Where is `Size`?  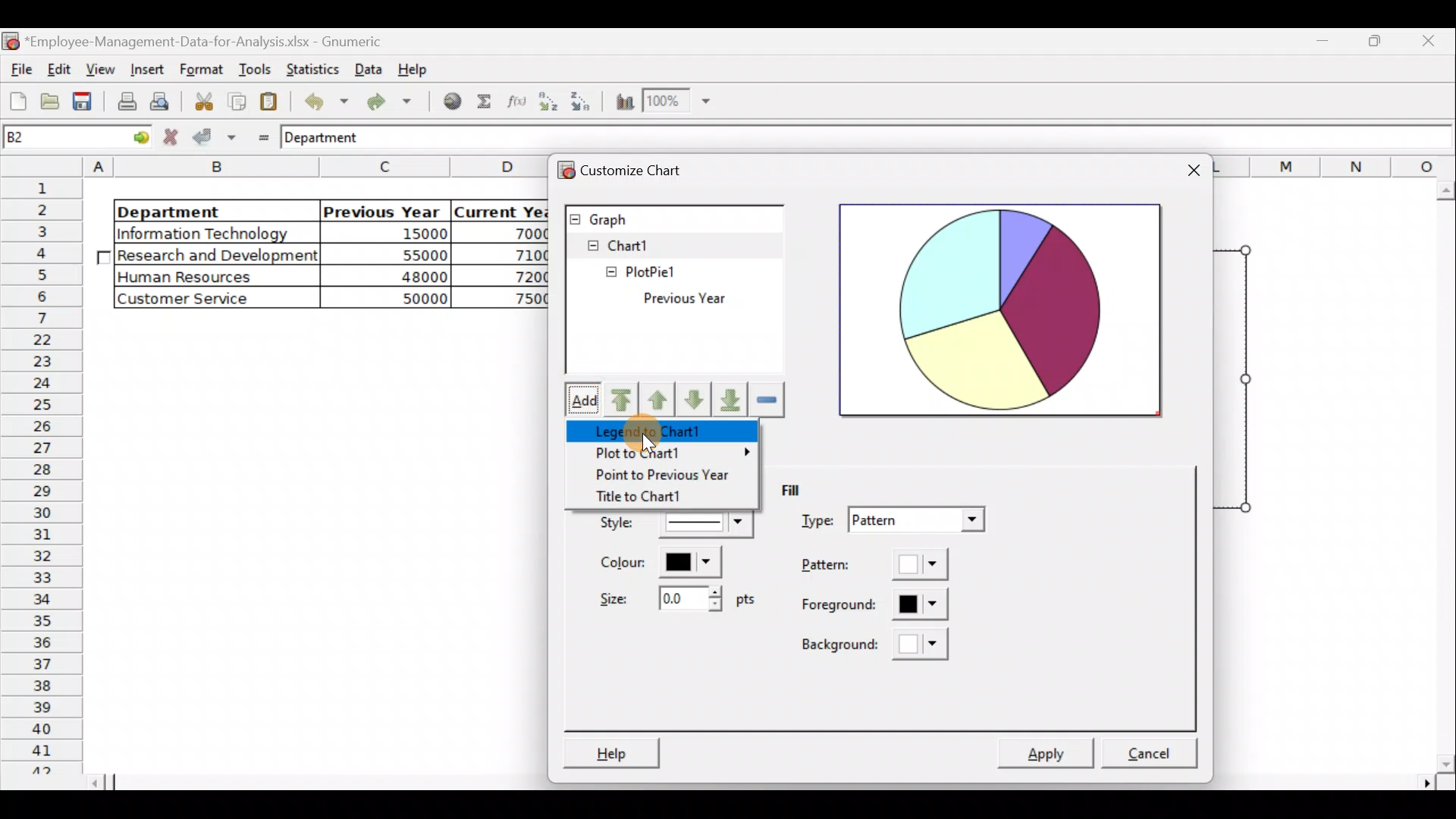
Size is located at coordinates (674, 600).